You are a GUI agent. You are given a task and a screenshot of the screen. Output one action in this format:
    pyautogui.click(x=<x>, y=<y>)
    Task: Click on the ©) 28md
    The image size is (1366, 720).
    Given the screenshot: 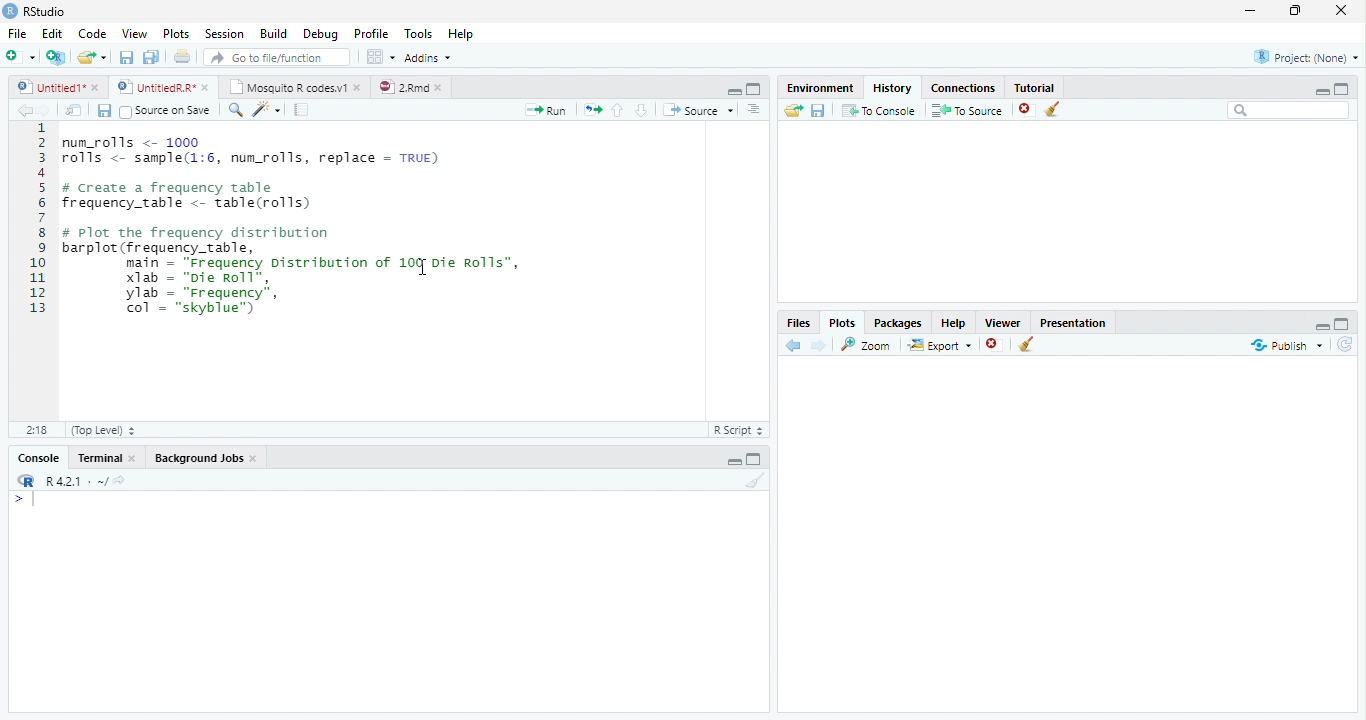 What is the action you would take?
    pyautogui.click(x=410, y=87)
    